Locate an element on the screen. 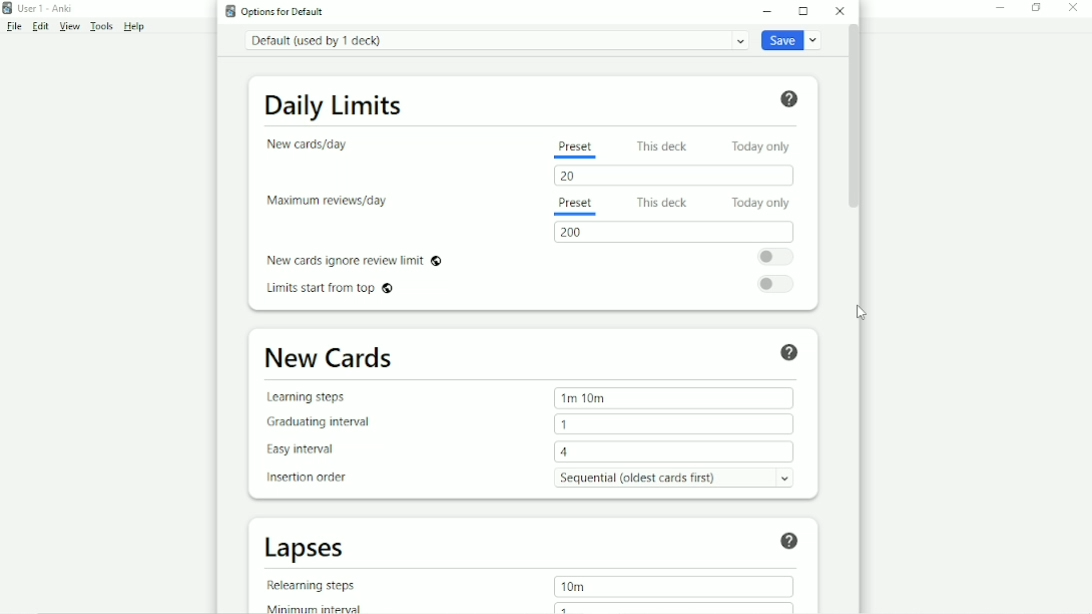 This screenshot has height=614, width=1092. User 1 - Anki is located at coordinates (40, 7).